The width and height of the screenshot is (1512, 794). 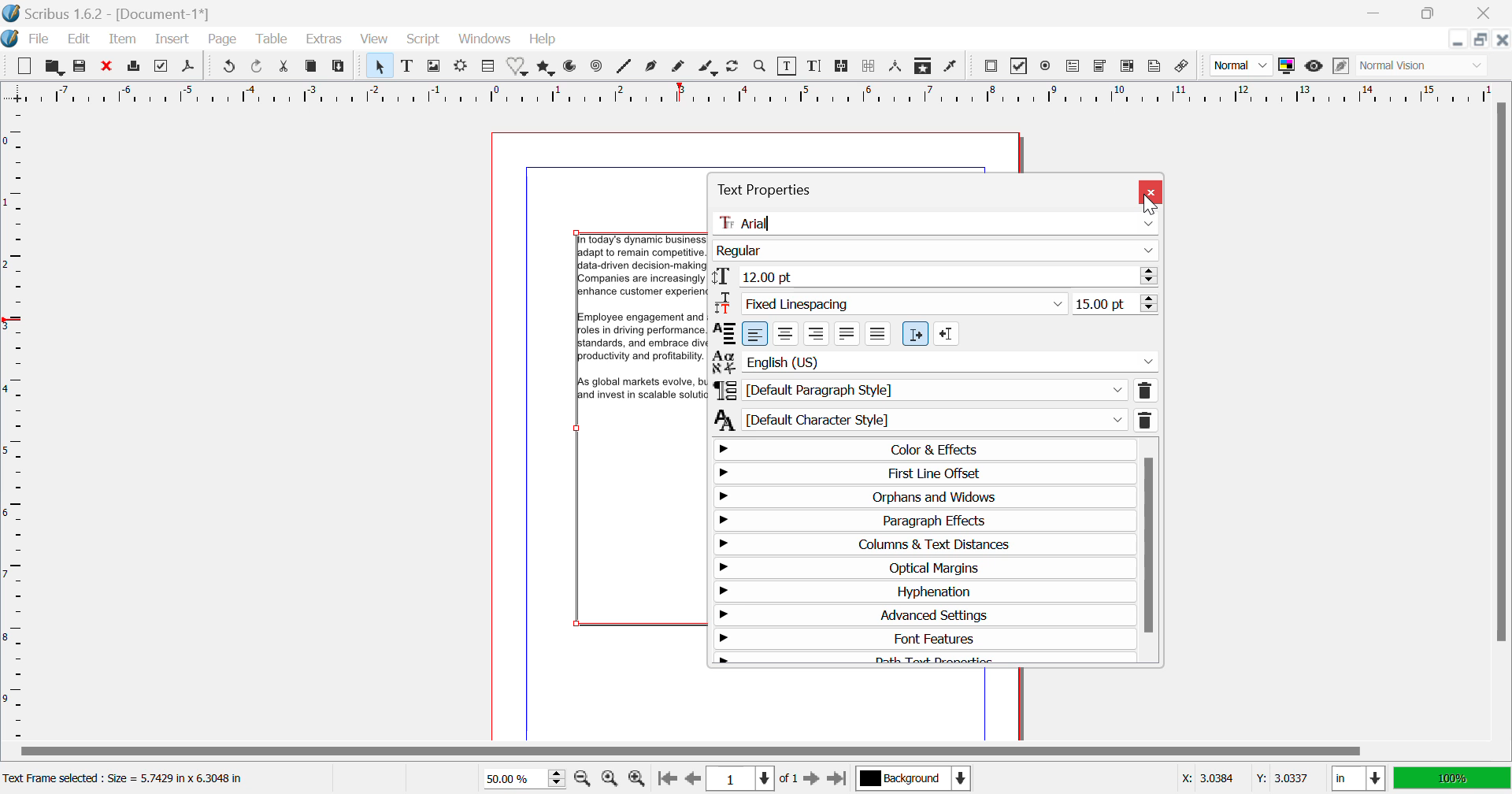 What do you see at coordinates (464, 66) in the screenshot?
I see `Render Frame` at bounding box center [464, 66].